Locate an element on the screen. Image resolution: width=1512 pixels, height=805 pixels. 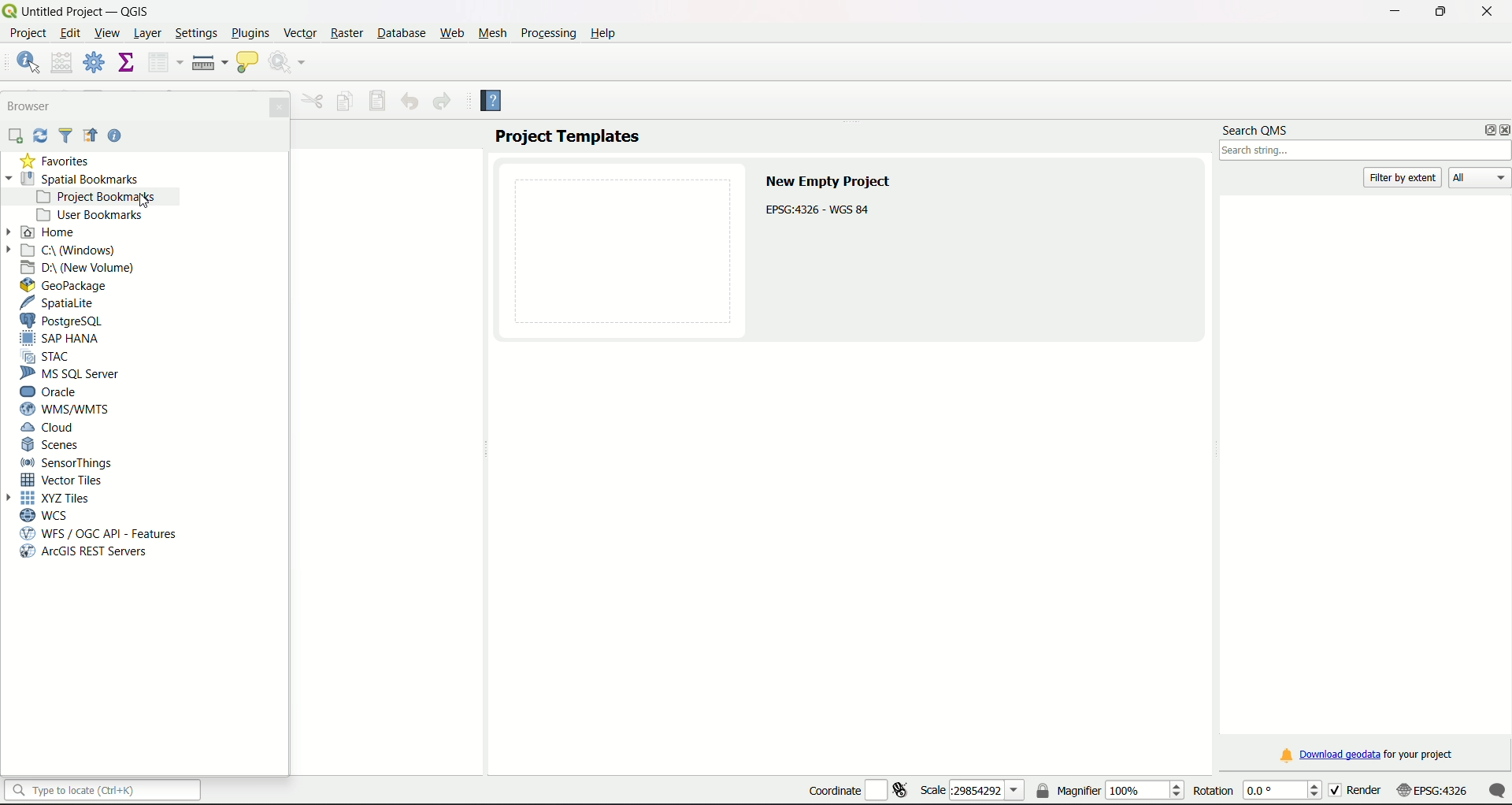
project bookmarks is located at coordinates (102, 197).